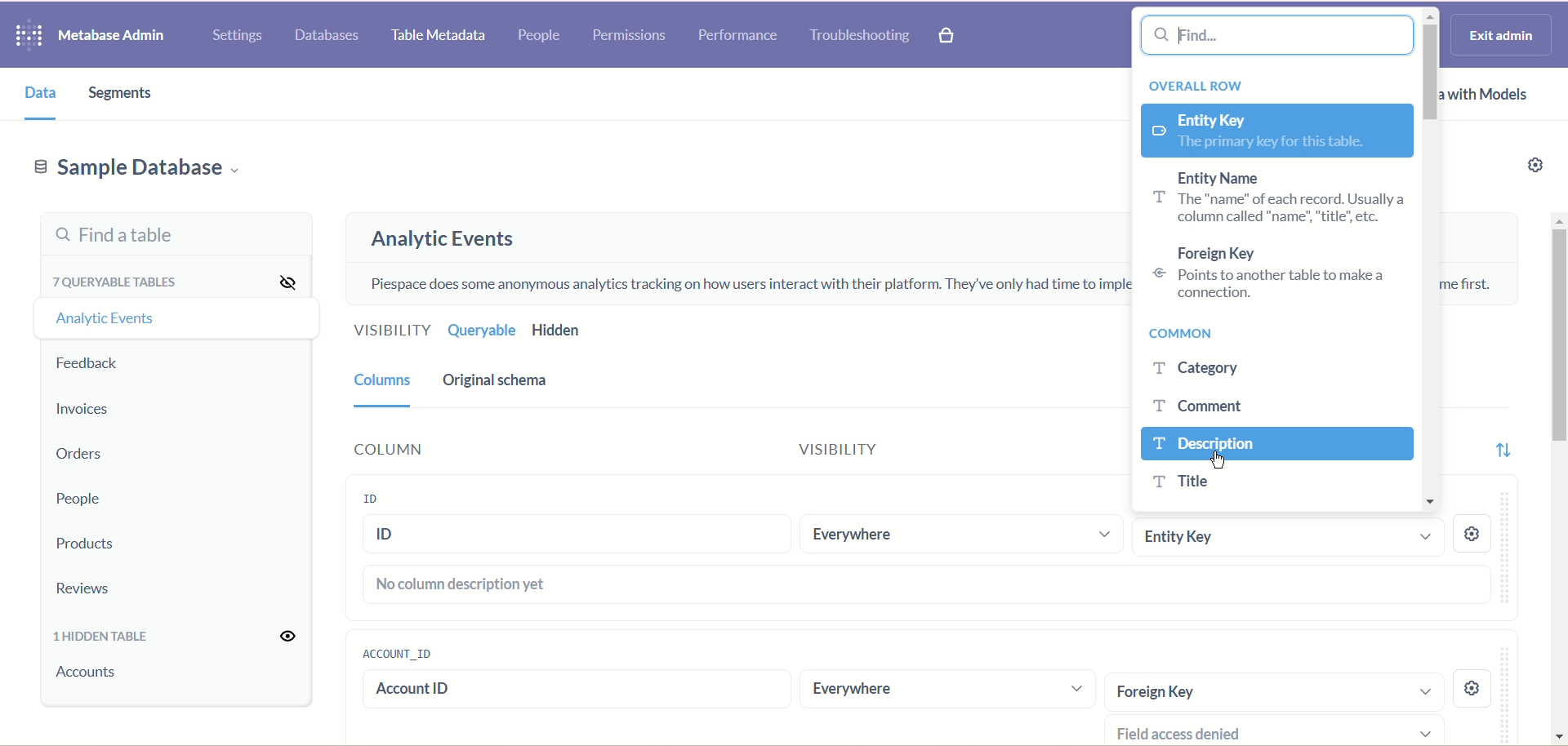  Describe the element at coordinates (1221, 461) in the screenshot. I see `cursor` at that location.